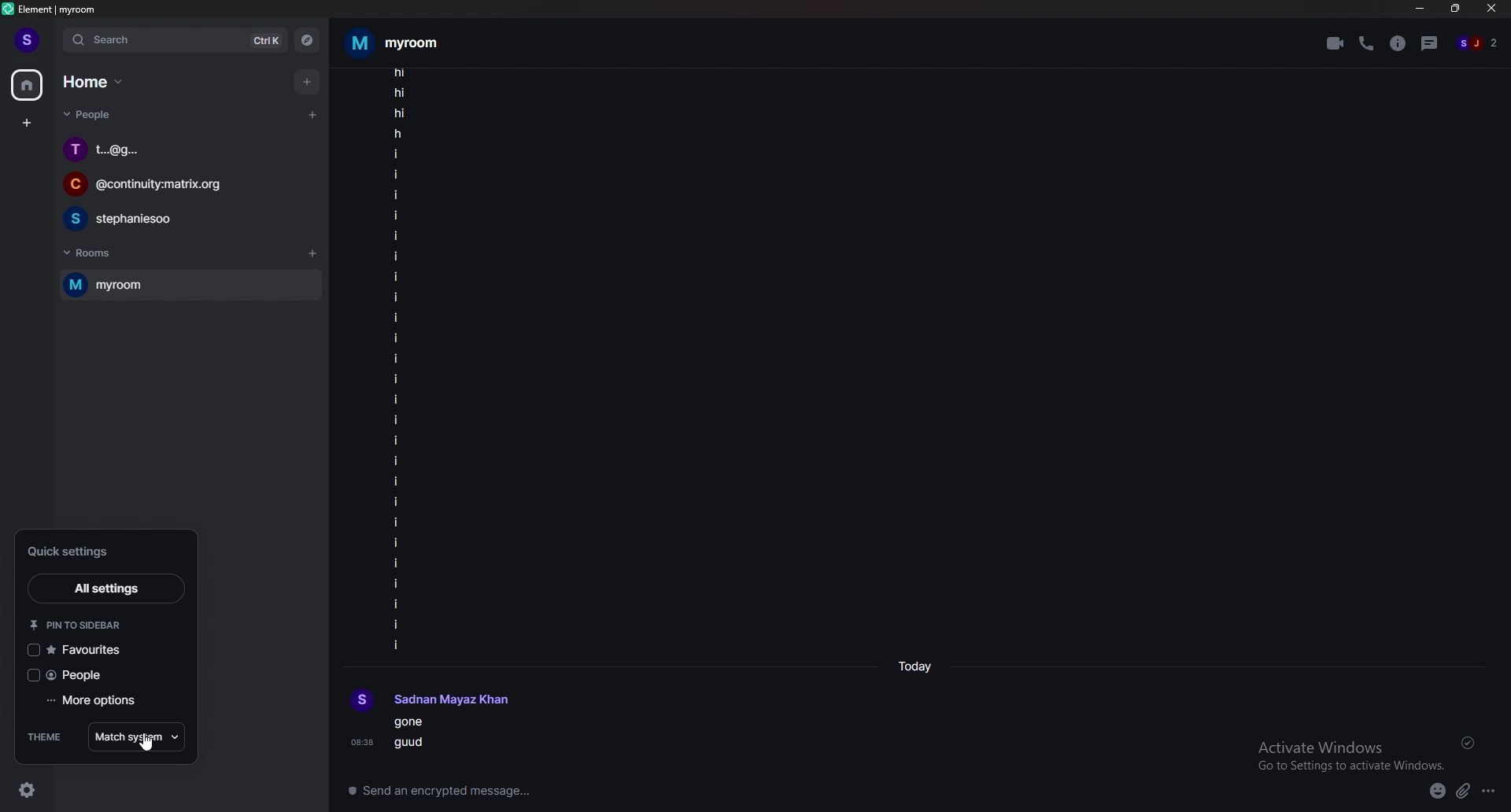 This screenshot has height=812, width=1511. I want to click on explore, so click(307, 39).